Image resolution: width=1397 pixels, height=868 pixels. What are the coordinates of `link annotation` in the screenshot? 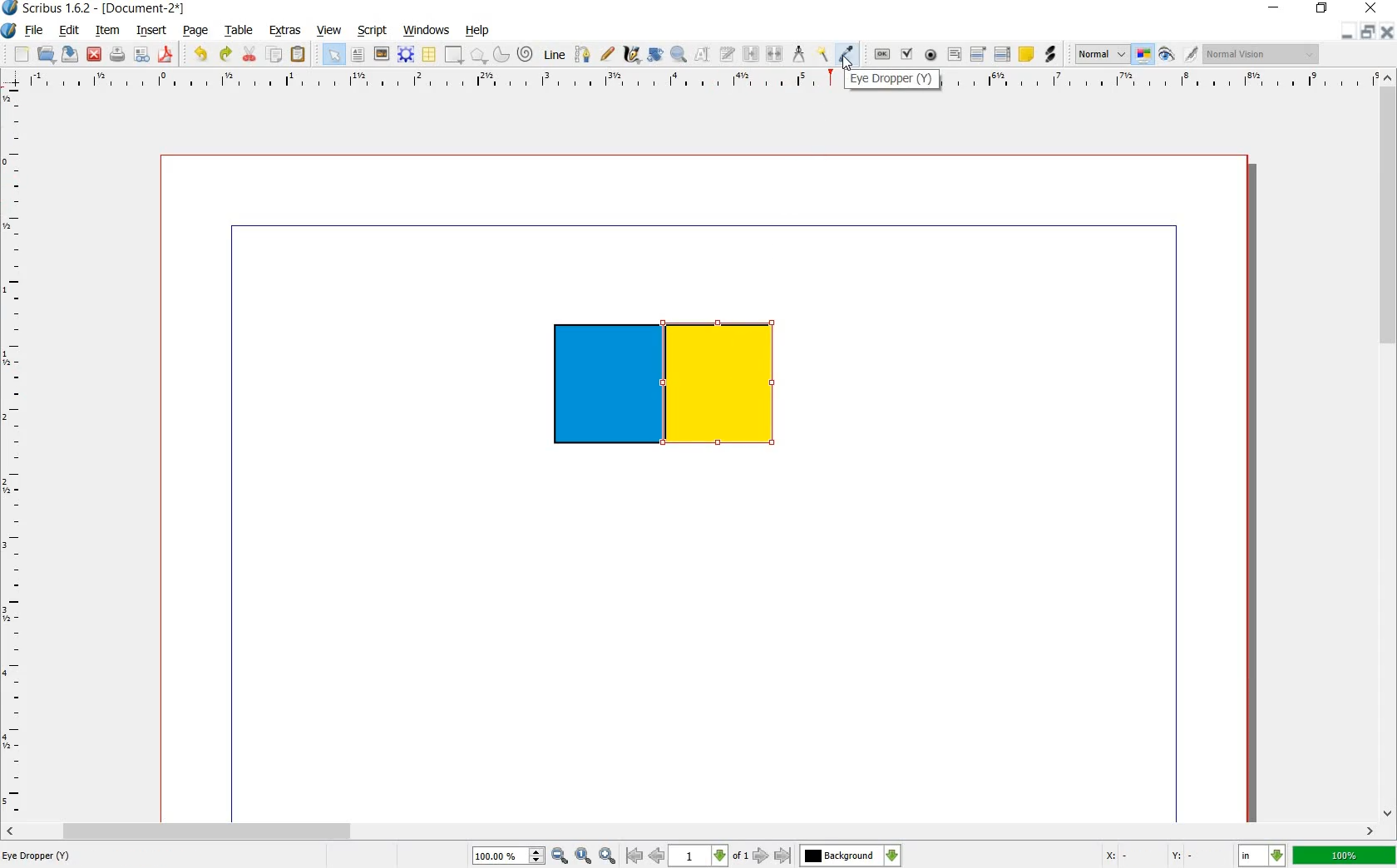 It's located at (1051, 55).